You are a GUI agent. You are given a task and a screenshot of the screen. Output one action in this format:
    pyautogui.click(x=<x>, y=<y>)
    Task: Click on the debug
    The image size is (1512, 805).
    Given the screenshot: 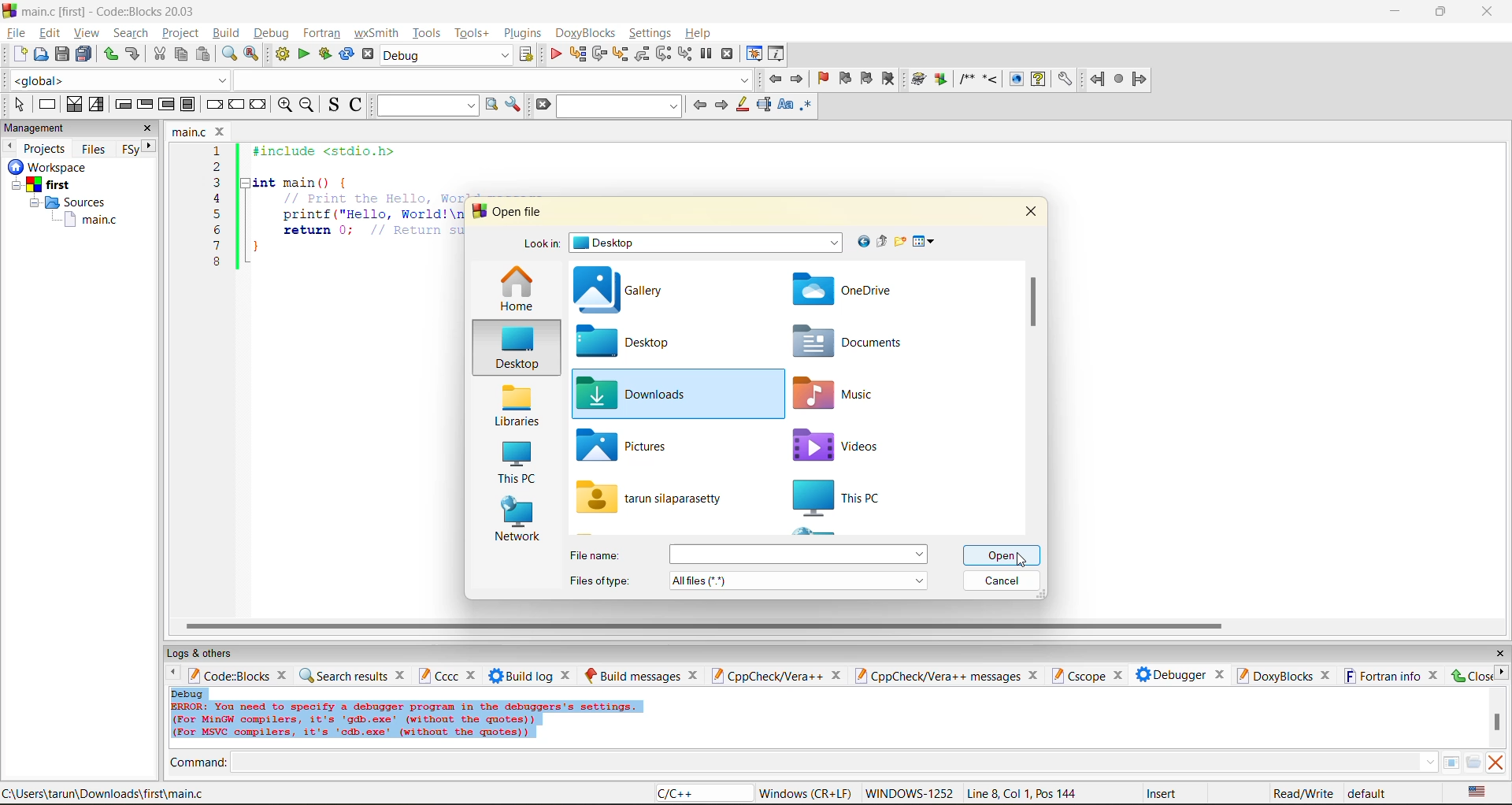 What is the action you would take?
    pyautogui.click(x=269, y=33)
    